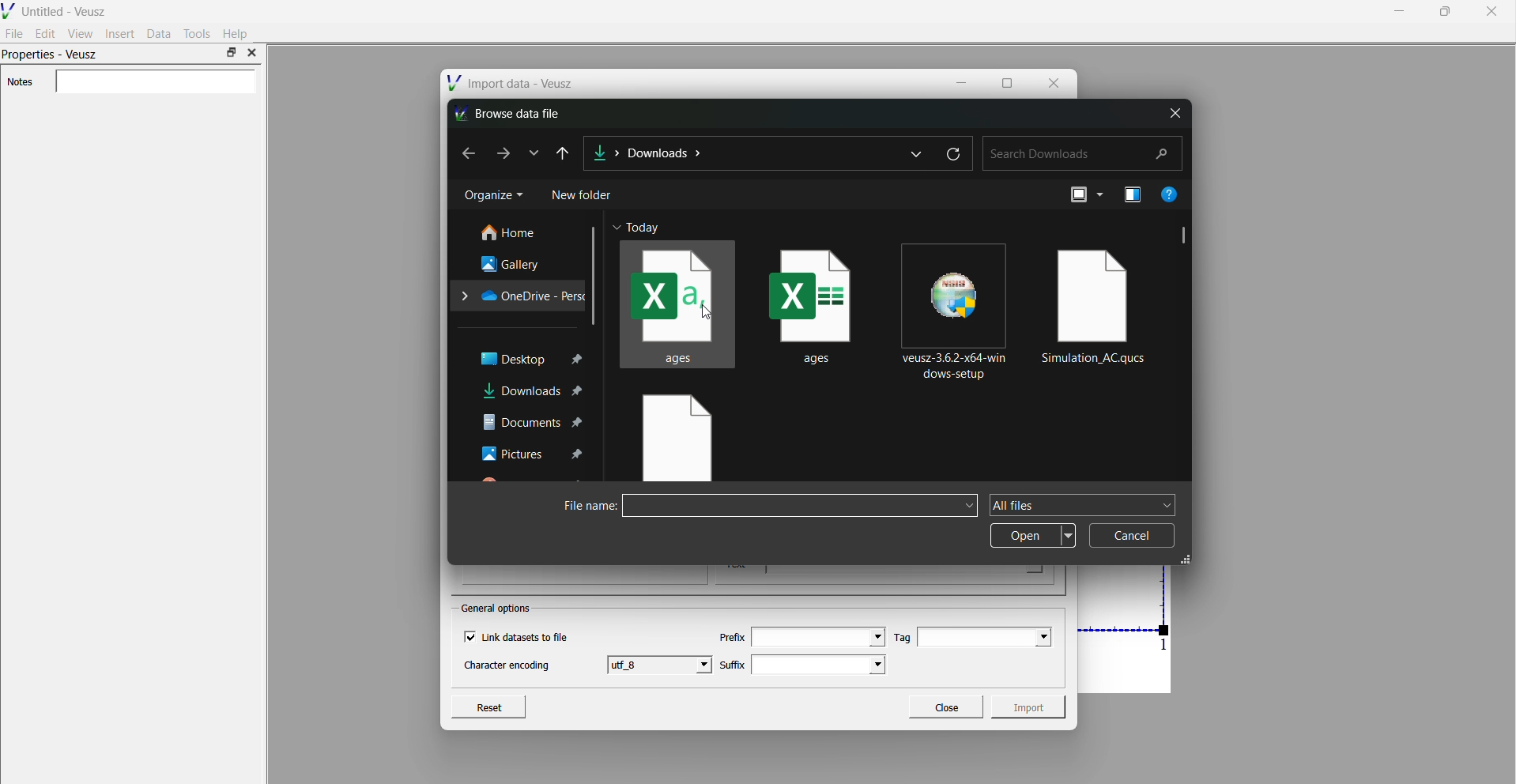 The image size is (1516, 784). Describe the element at coordinates (903, 637) in the screenshot. I see `Tag` at that location.